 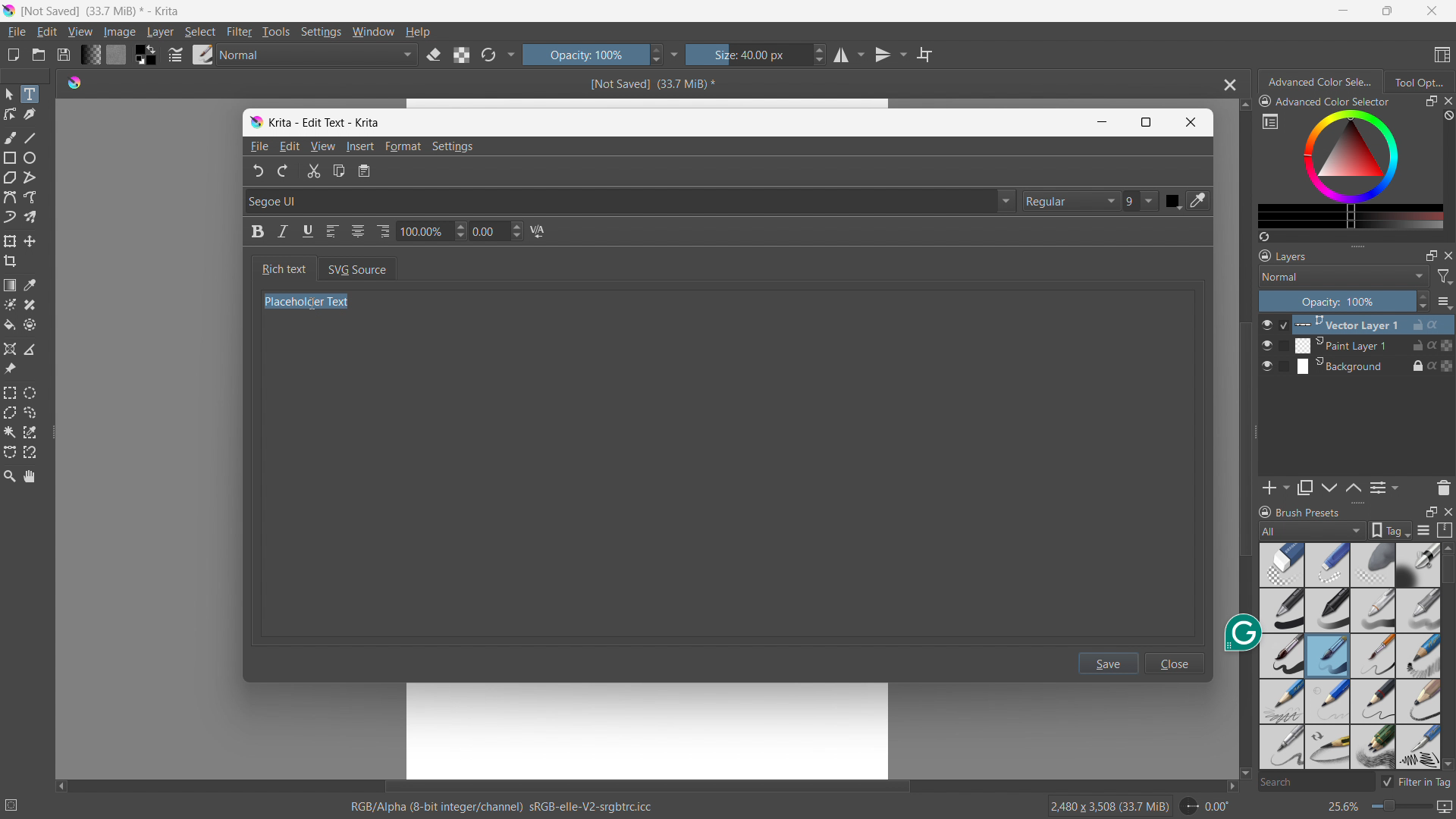 What do you see at coordinates (160, 32) in the screenshot?
I see `layer` at bounding box center [160, 32].